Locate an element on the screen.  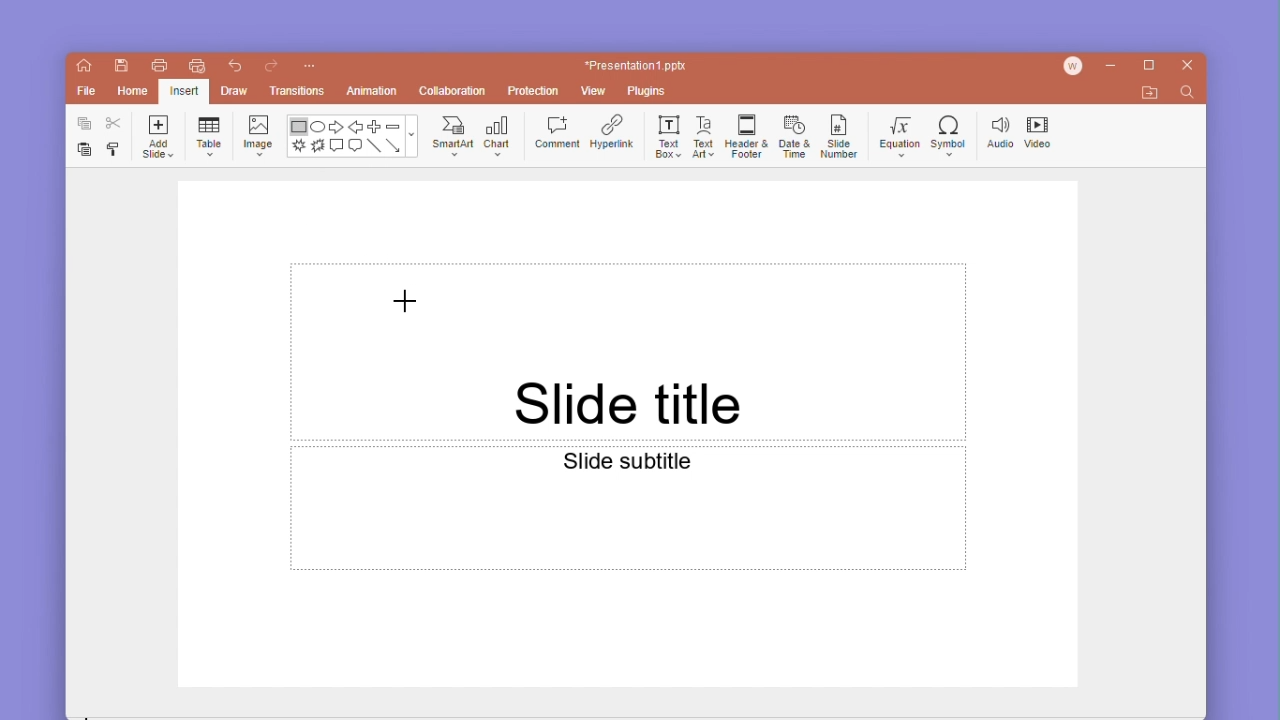
animation is located at coordinates (372, 90).